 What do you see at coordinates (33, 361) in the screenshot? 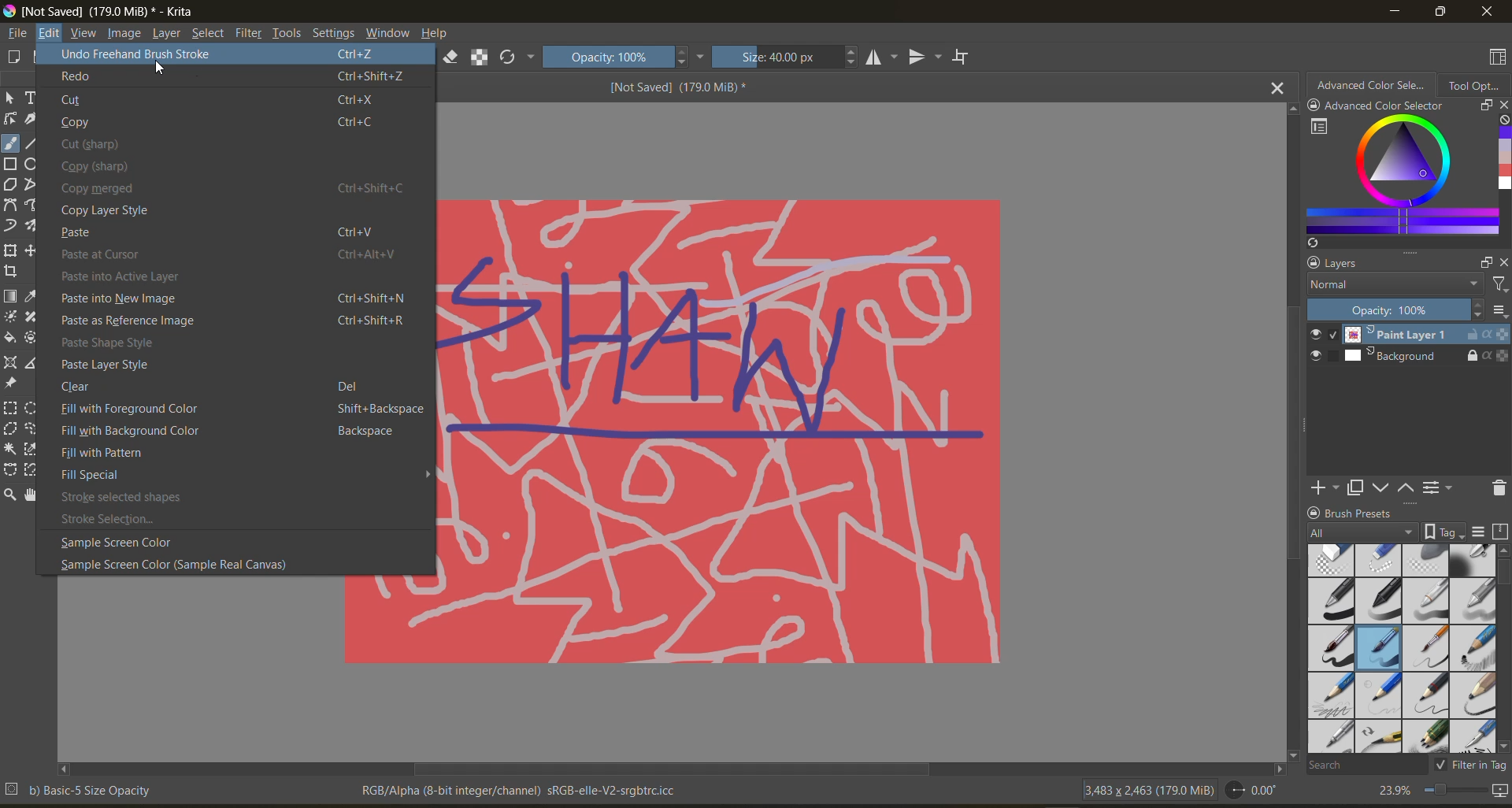
I see `Measure the distance tool` at bounding box center [33, 361].